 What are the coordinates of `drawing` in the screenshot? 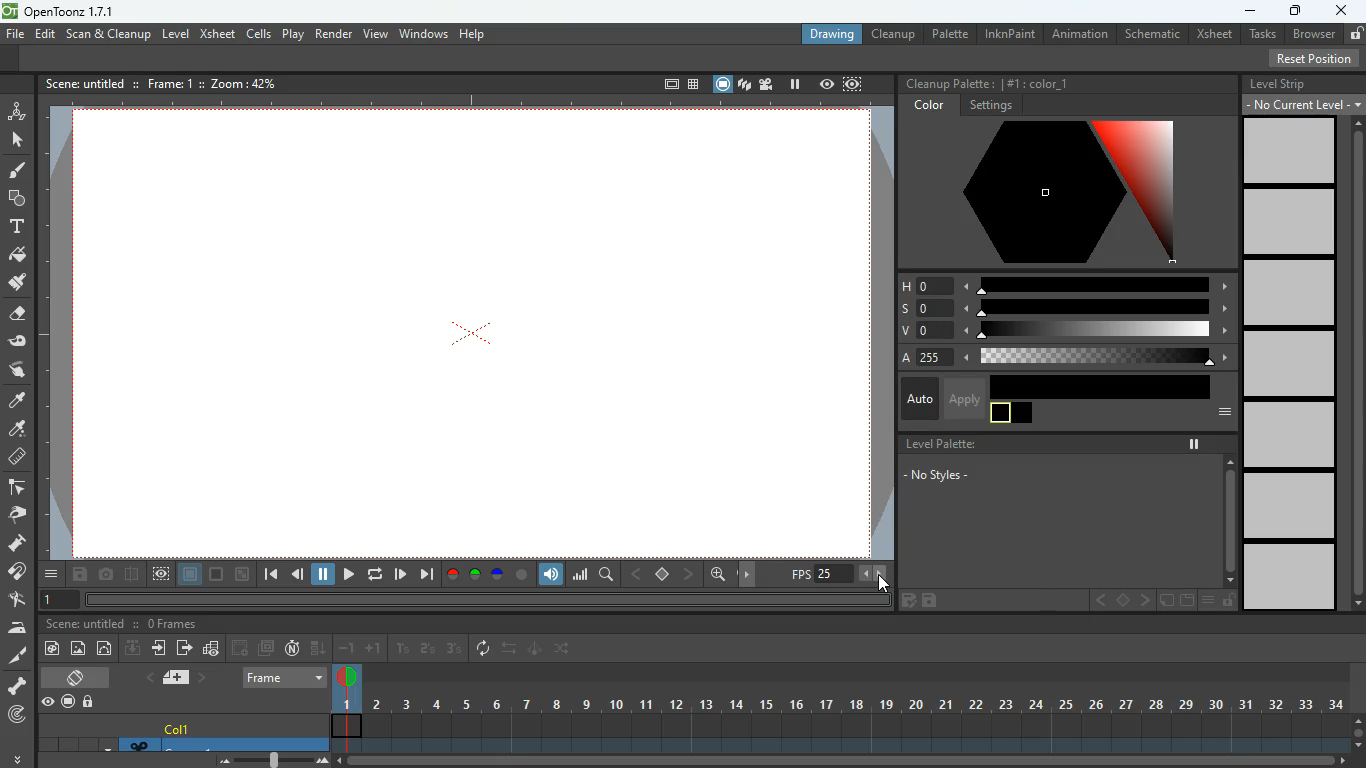 It's located at (832, 35).